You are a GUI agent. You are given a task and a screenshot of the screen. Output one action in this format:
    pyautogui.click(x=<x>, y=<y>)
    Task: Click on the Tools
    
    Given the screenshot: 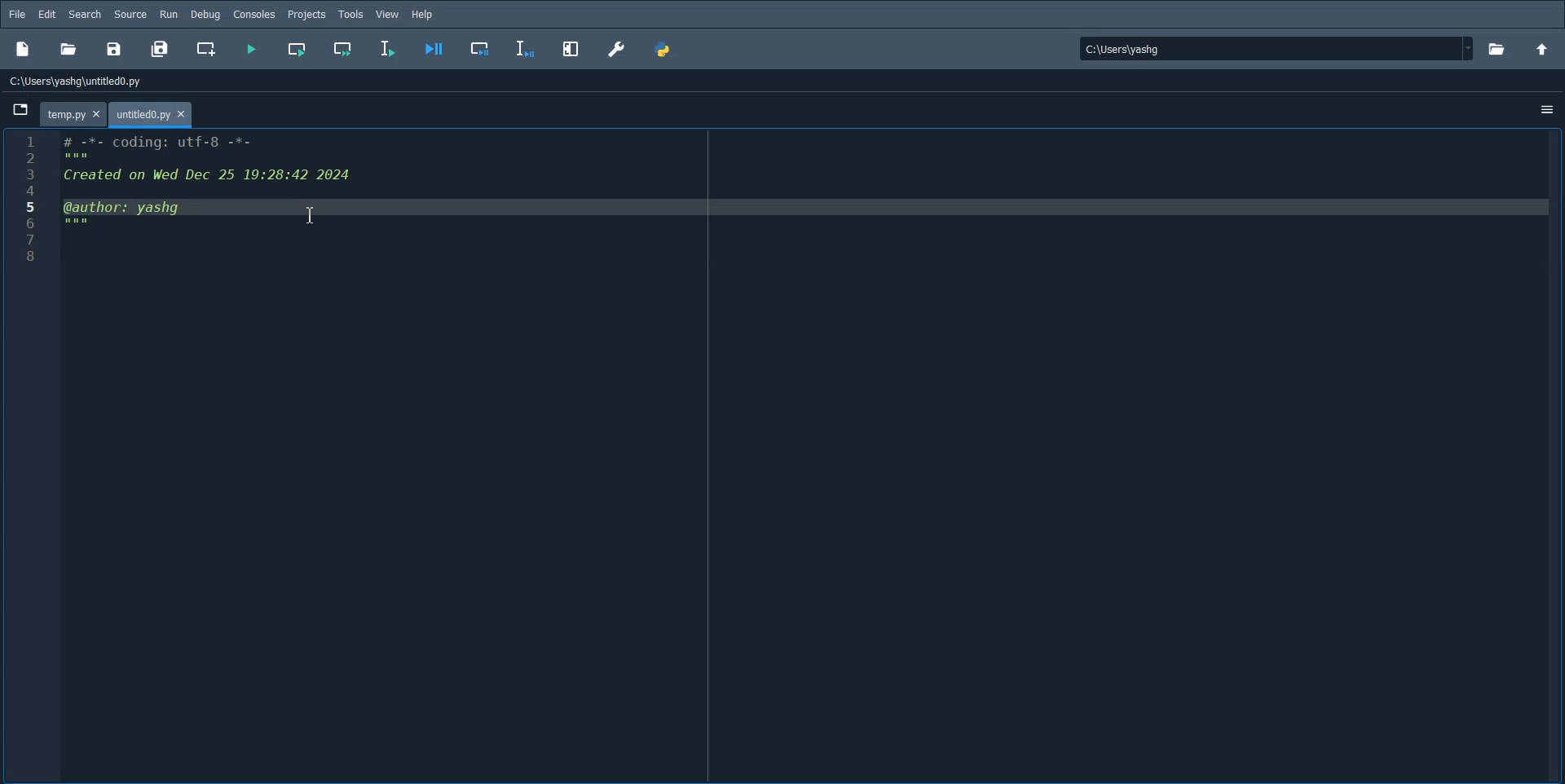 What is the action you would take?
    pyautogui.click(x=351, y=14)
    